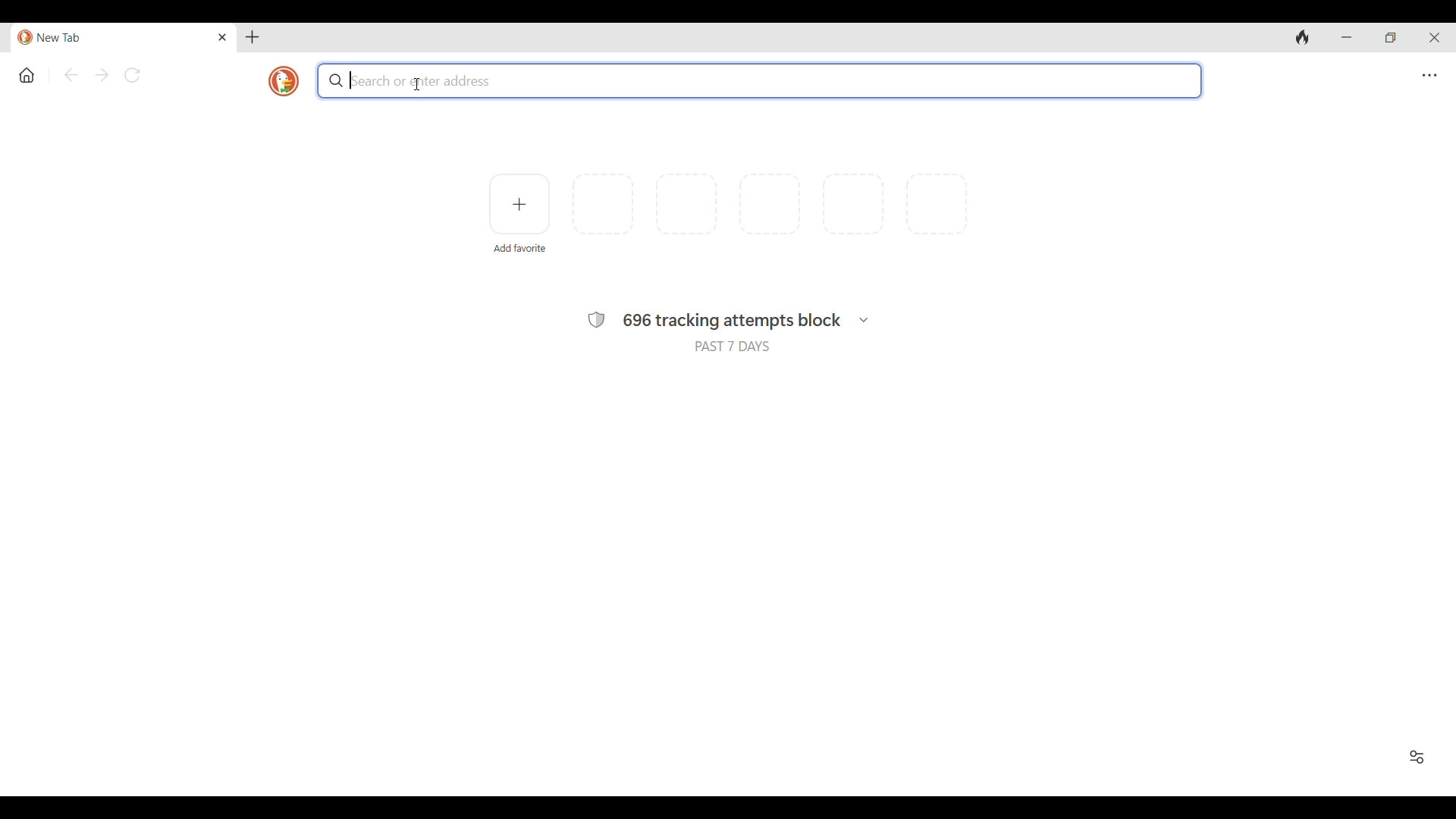 The width and height of the screenshot is (1456, 819). What do you see at coordinates (1429, 76) in the screenshot?
I see `Browser settings` at bounding box center [1429, 76].